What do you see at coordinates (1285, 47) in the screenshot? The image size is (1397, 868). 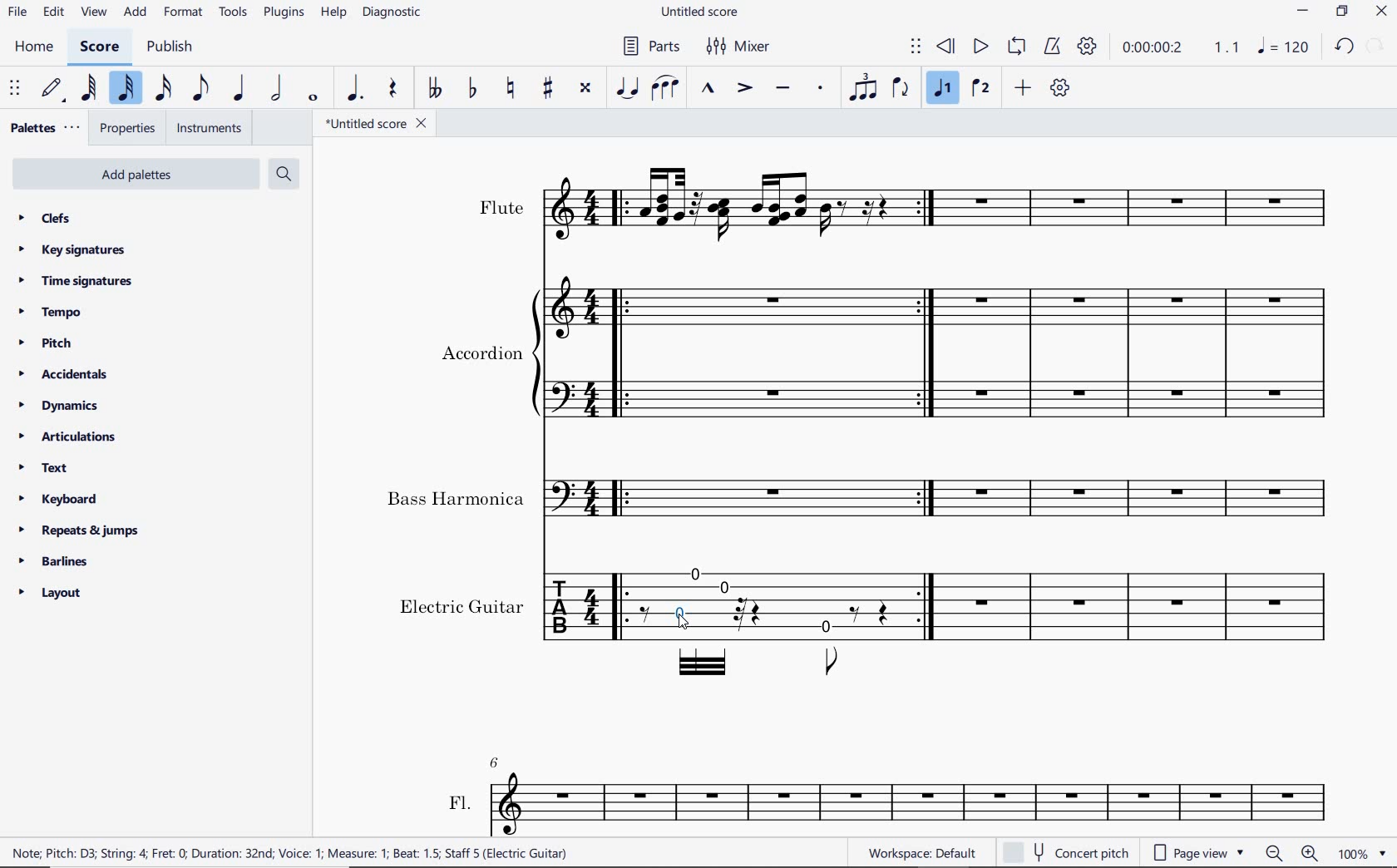 I see `NOTE` at bounding box center [1285, 47].